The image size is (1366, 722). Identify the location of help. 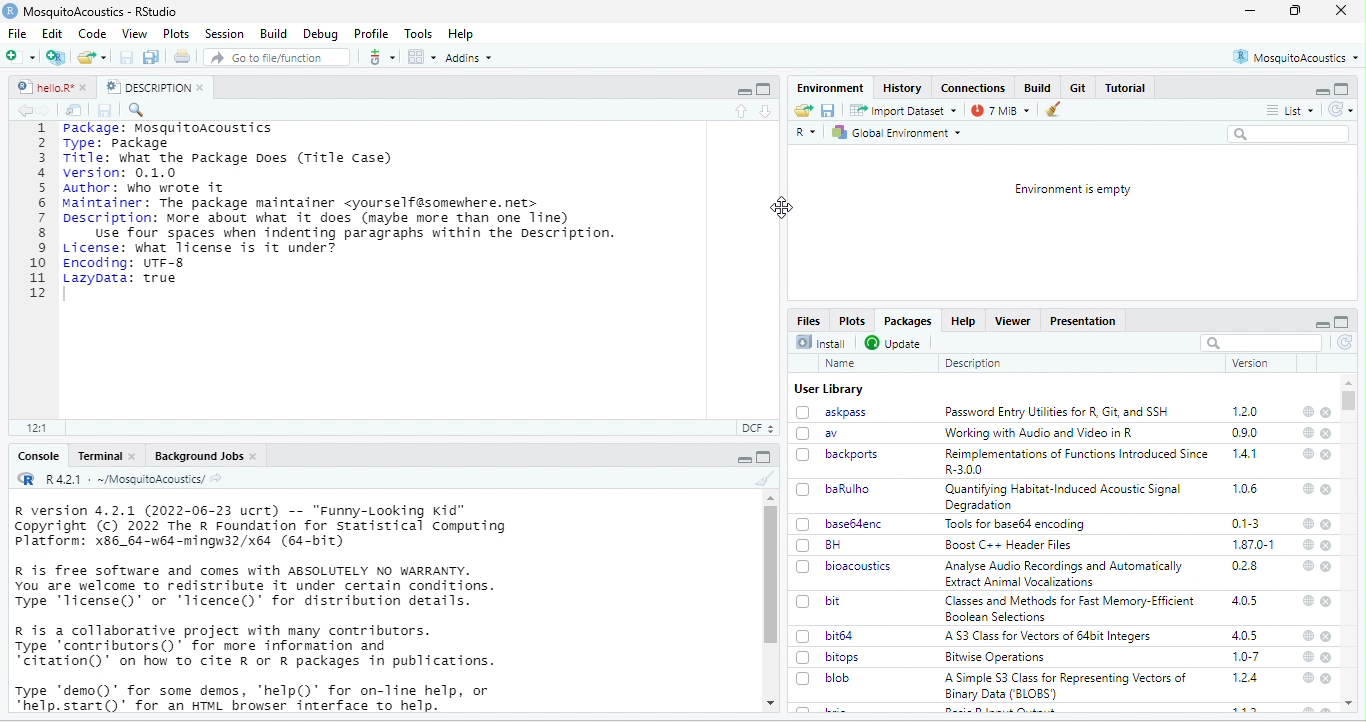
(1308, 565).